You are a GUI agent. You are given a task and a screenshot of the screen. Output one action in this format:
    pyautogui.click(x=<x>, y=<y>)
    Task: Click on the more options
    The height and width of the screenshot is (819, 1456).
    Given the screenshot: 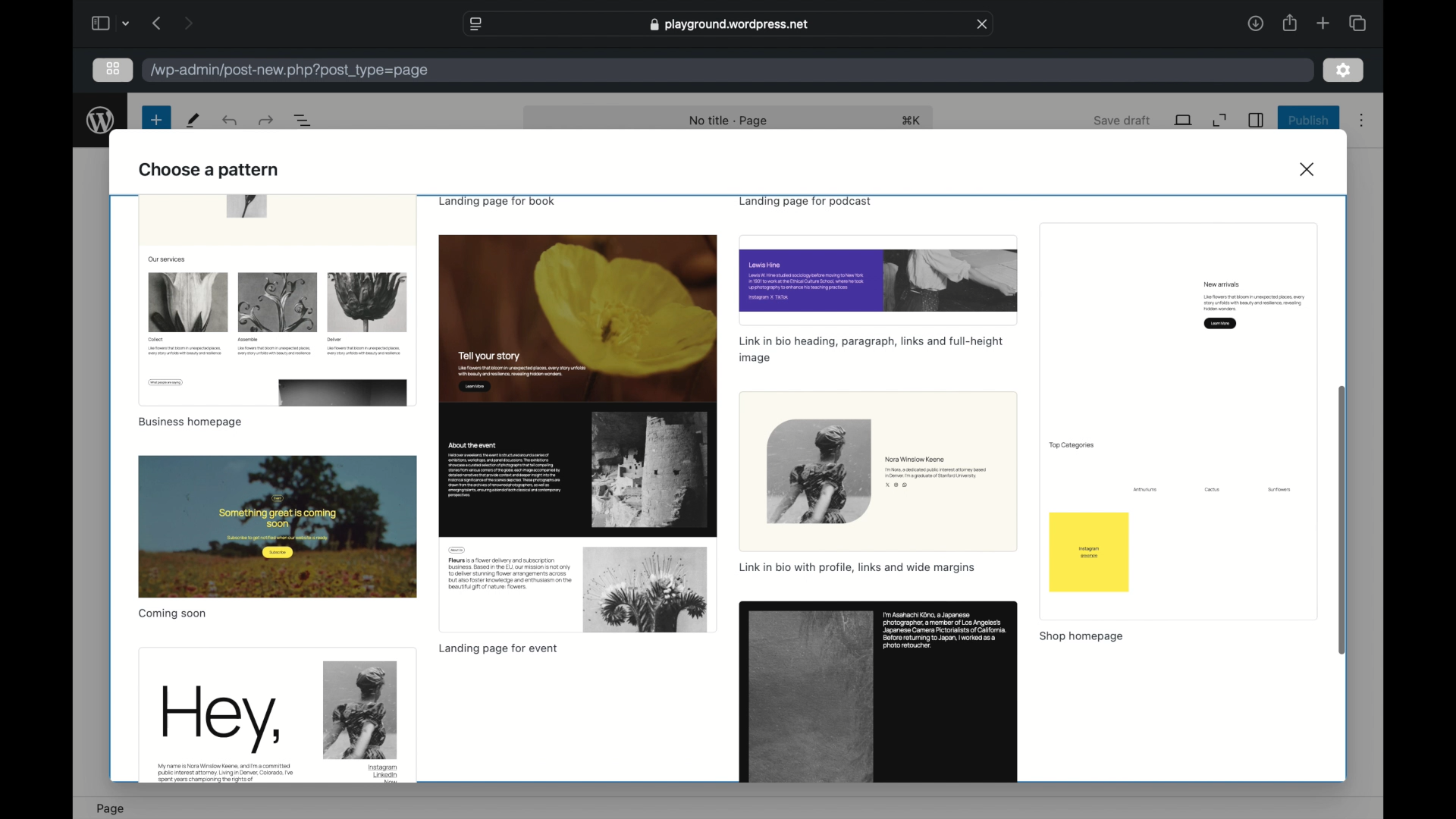 What is the action you would take?
    pyautogui.click(x=1361, y=121)
    